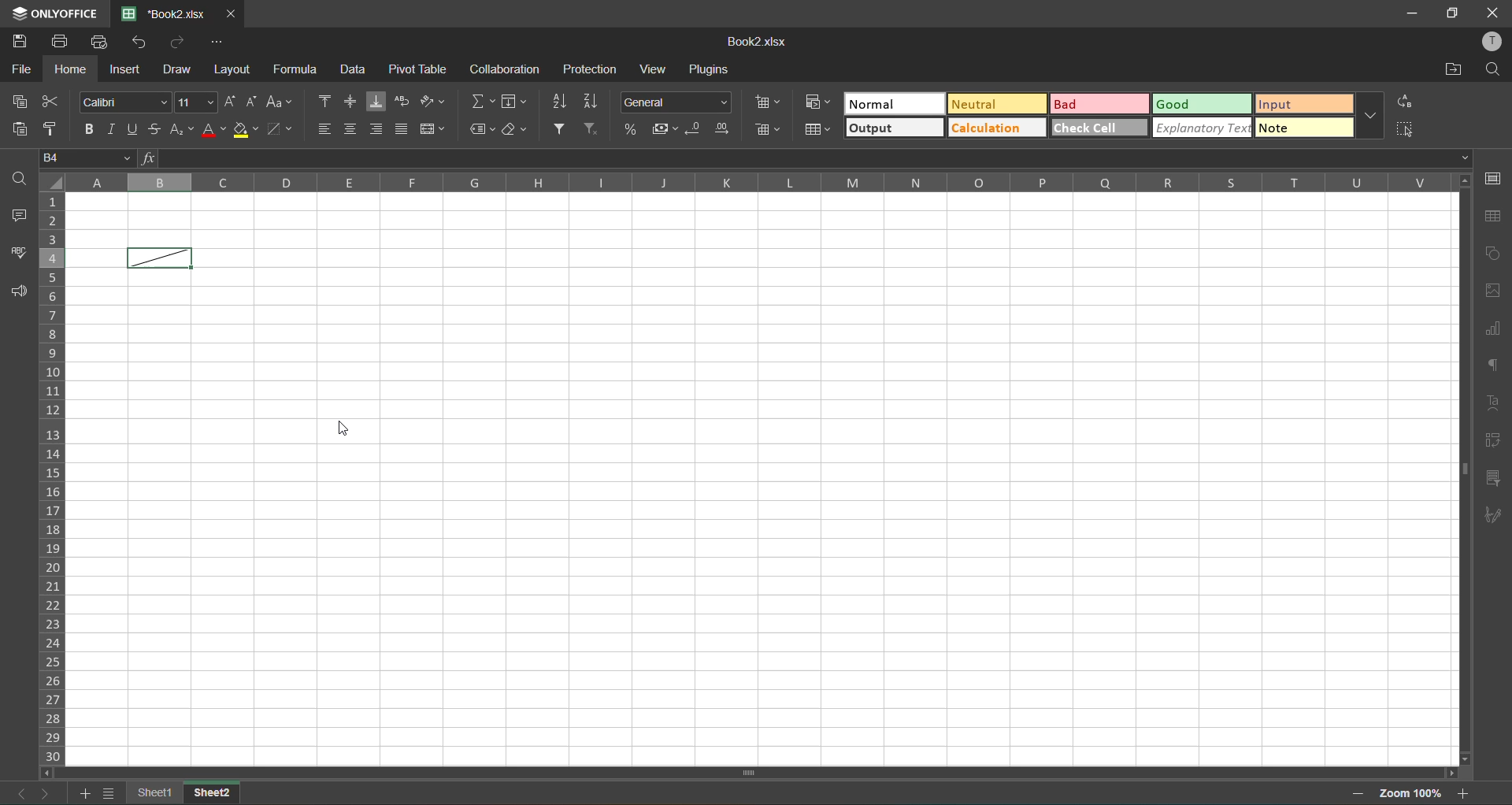 This screenshot has height=805, width=1512. I want to click on justified, so click(402, 128).